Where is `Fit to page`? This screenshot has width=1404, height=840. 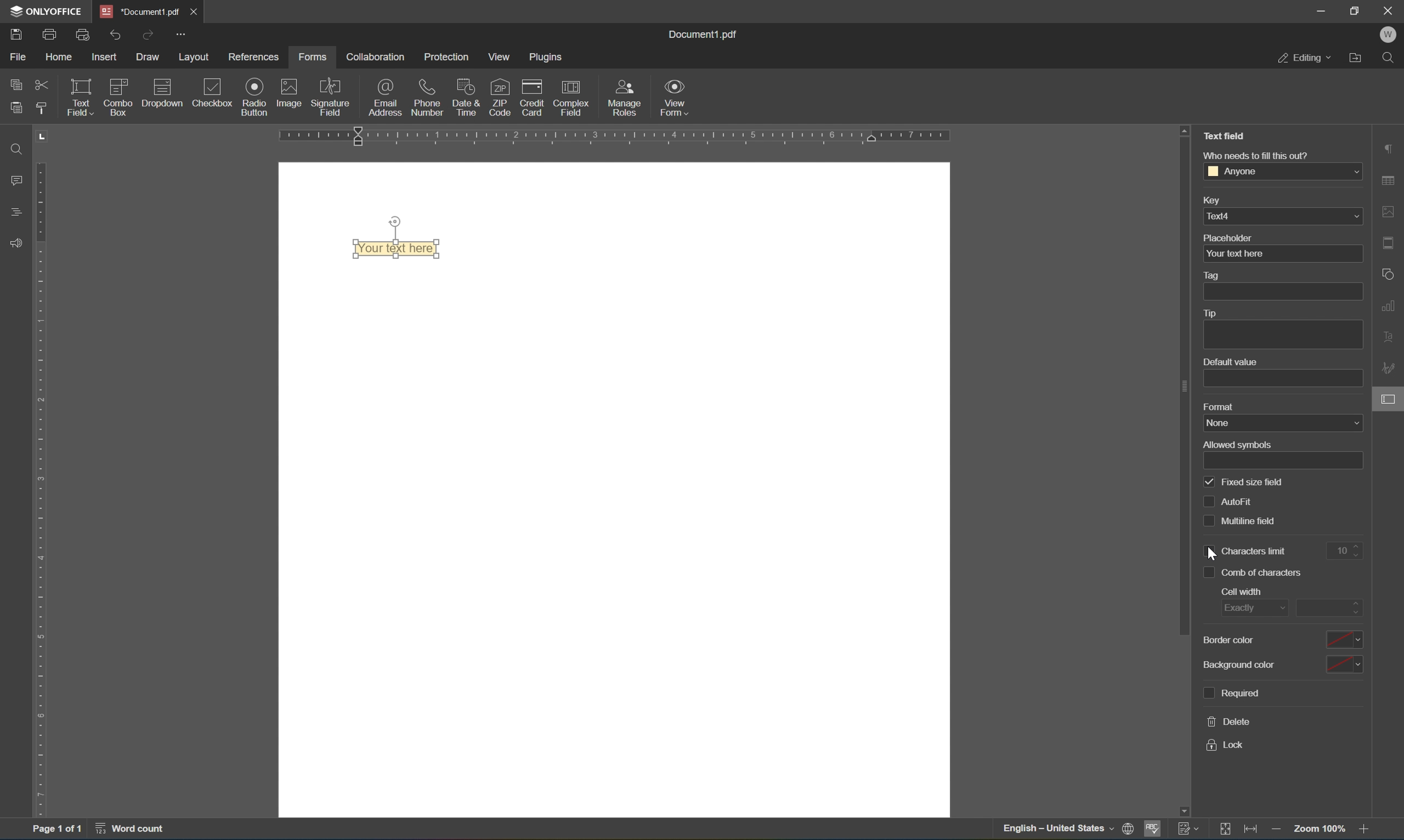 Fit to page is located at coordinates (1252, 830).